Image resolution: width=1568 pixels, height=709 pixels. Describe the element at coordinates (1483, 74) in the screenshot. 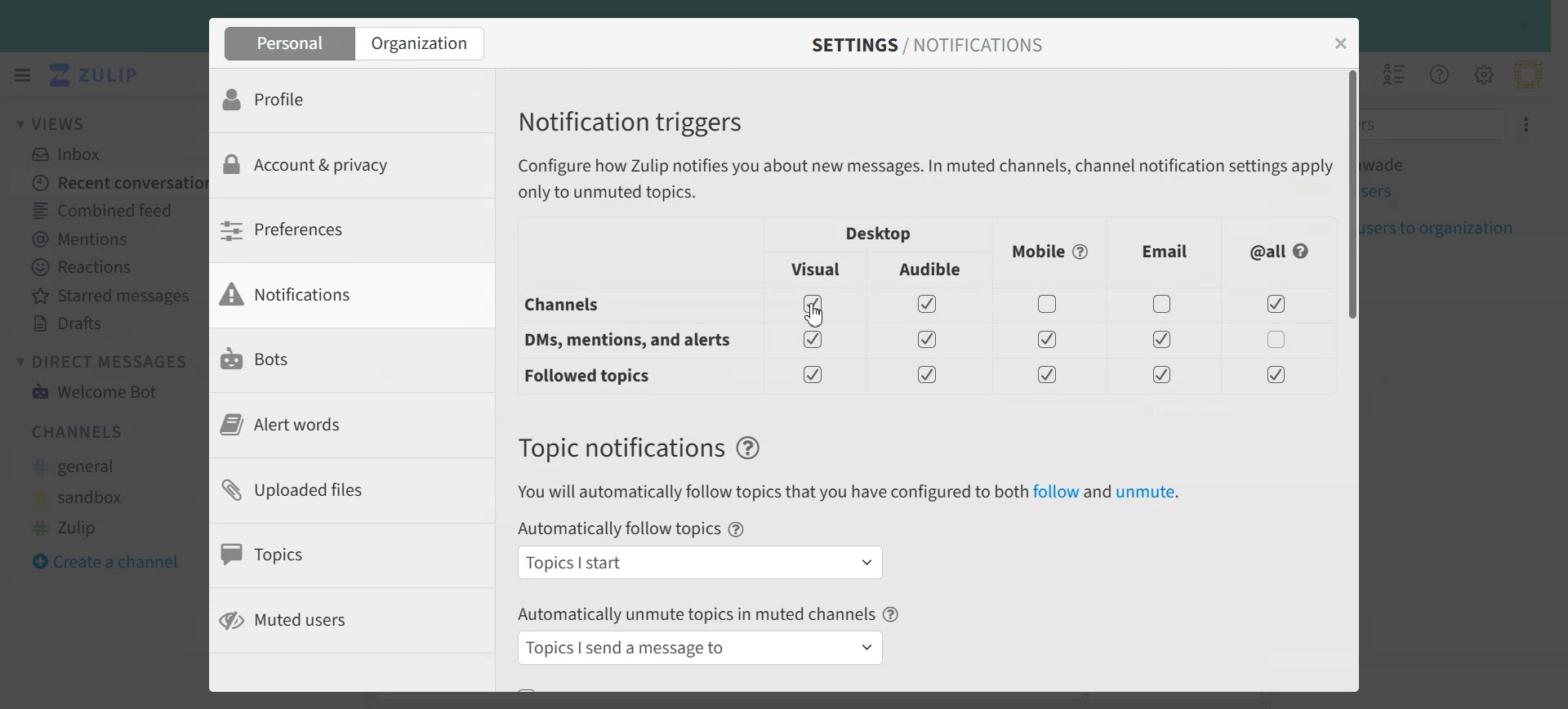

I see `Main menu` at that location.